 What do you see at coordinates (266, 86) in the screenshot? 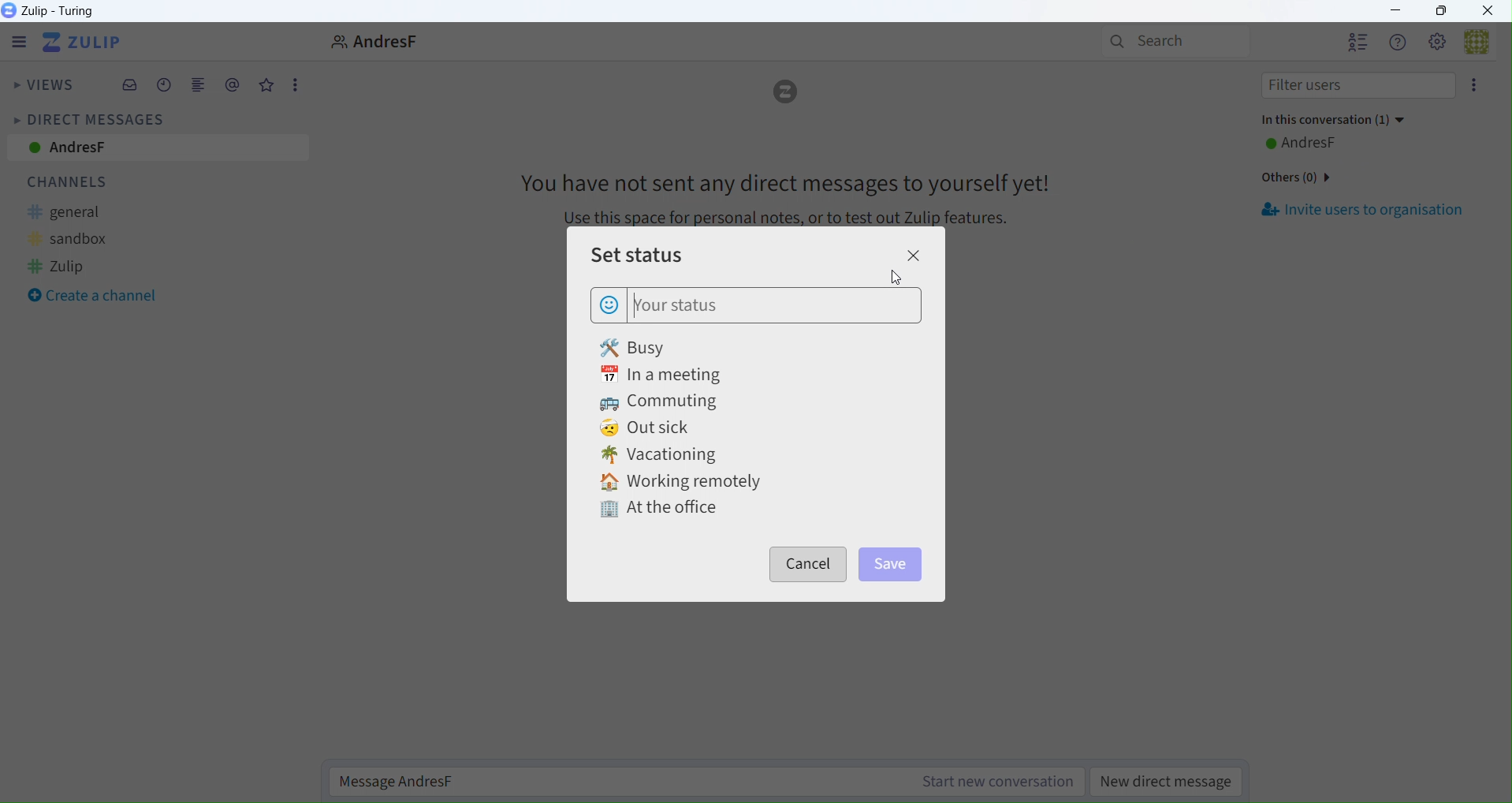
I see `Favourites` at bounding box center [266, 86].